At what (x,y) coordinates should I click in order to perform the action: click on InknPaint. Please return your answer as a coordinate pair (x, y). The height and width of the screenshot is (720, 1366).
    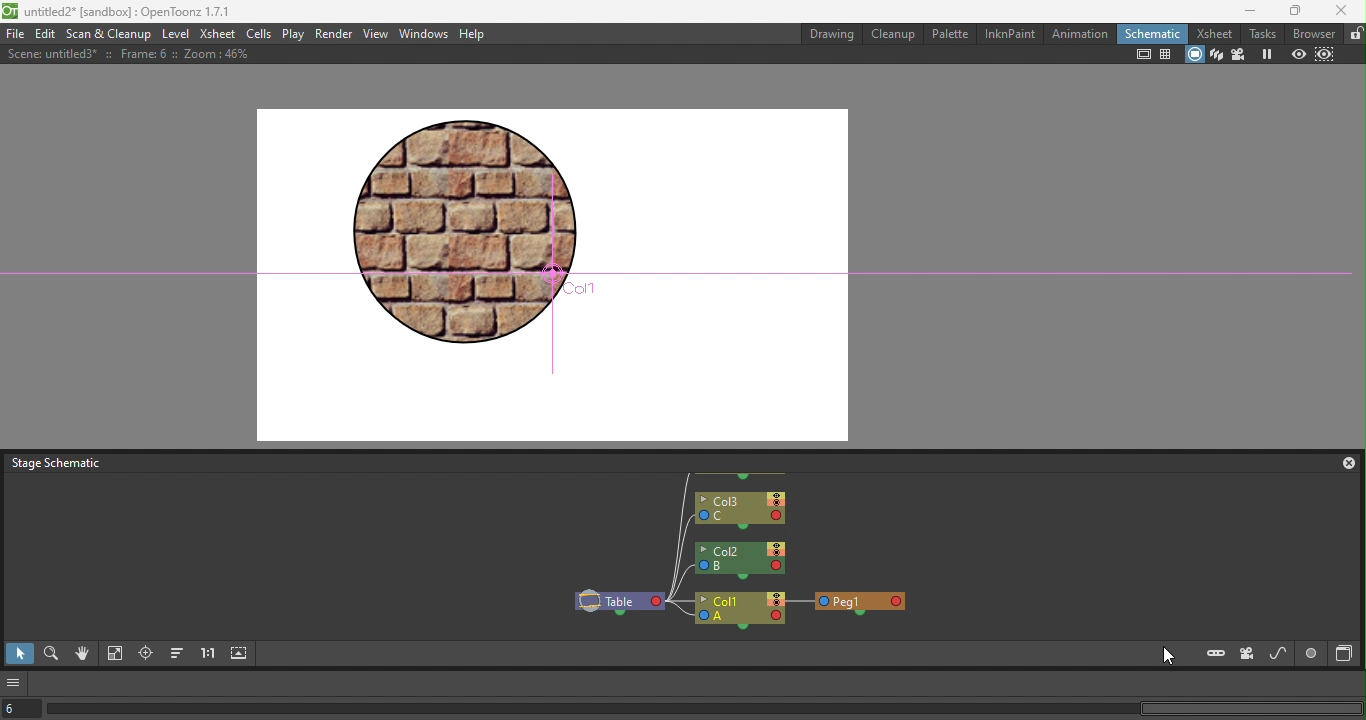
    Looking at the image, I should click on (1011, 34).